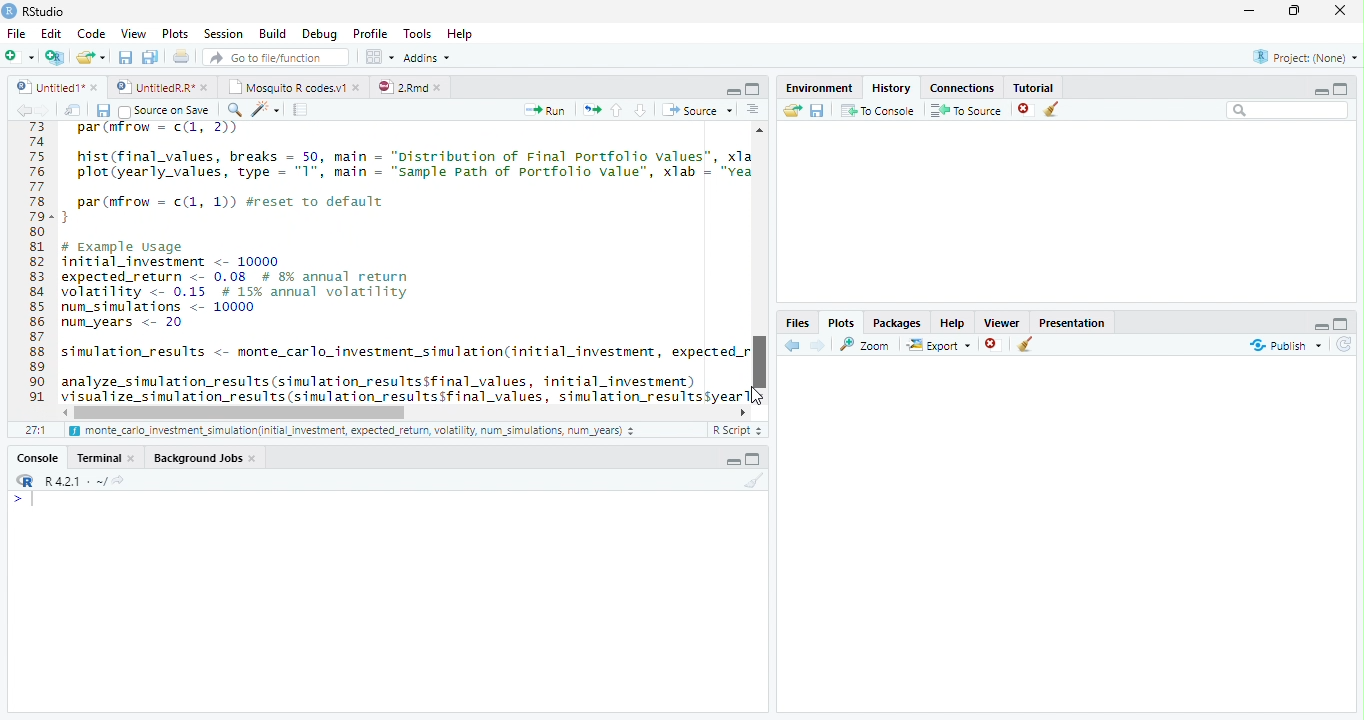 The width and height of the screenshot is (1364, 720). Describe the element at coordinates (235, 110) in the screenshot. I see `Find and replace` at that location.